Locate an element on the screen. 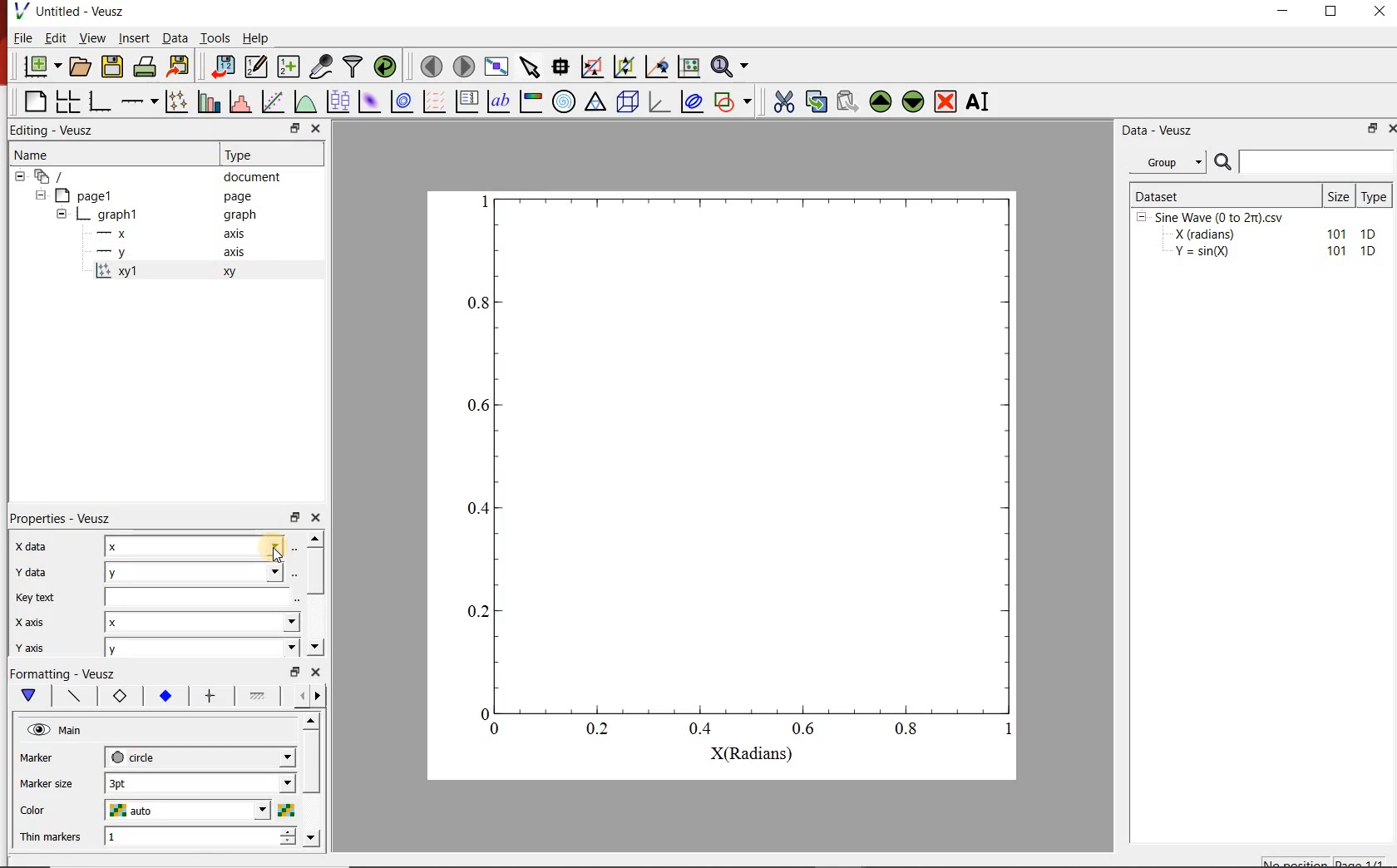 Image resolution: width=1397 pixels, height=868 pixels. text label is located at coordinates (499, 101).